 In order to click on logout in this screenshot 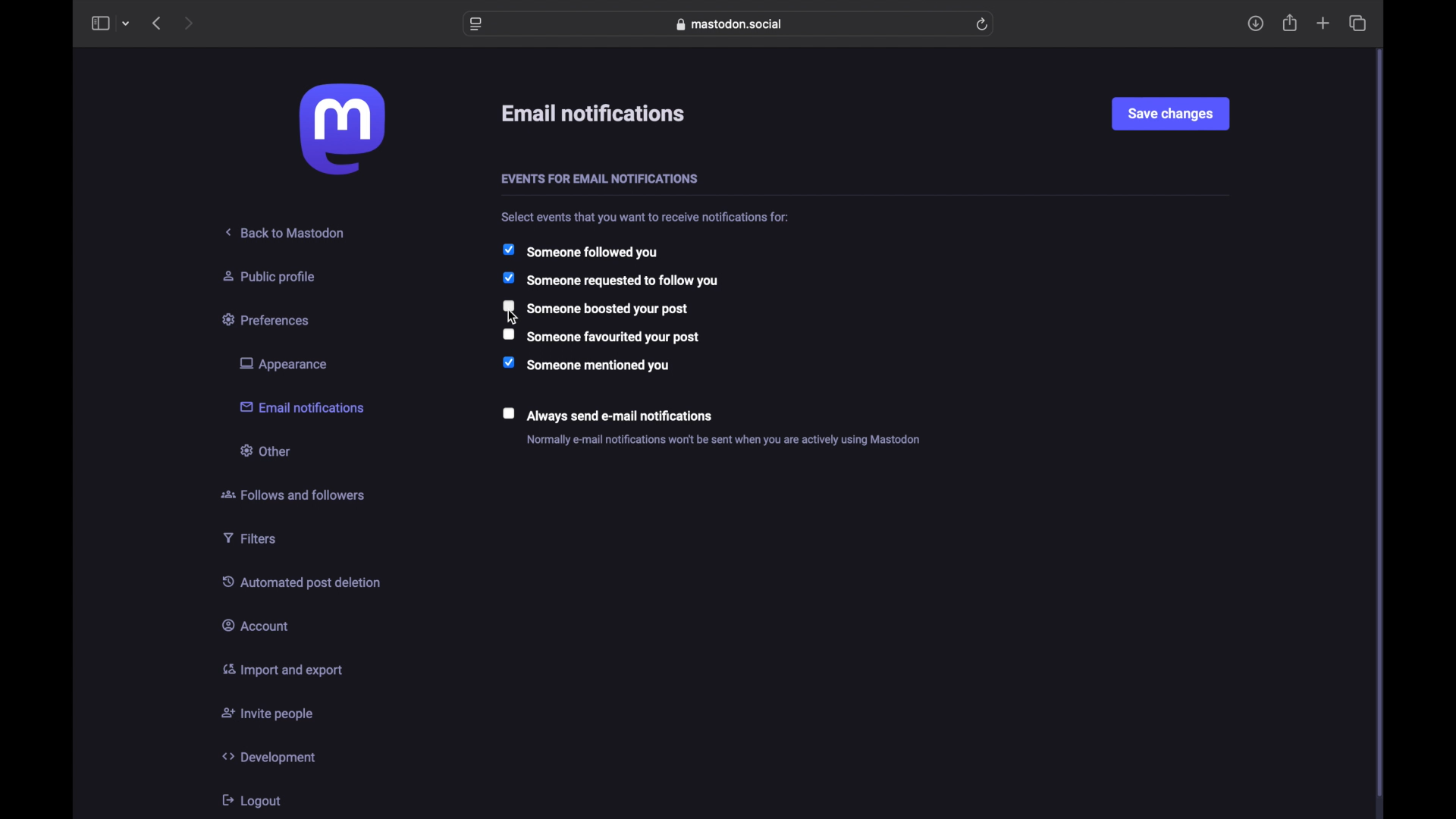, I will do `click(250, 800)`.